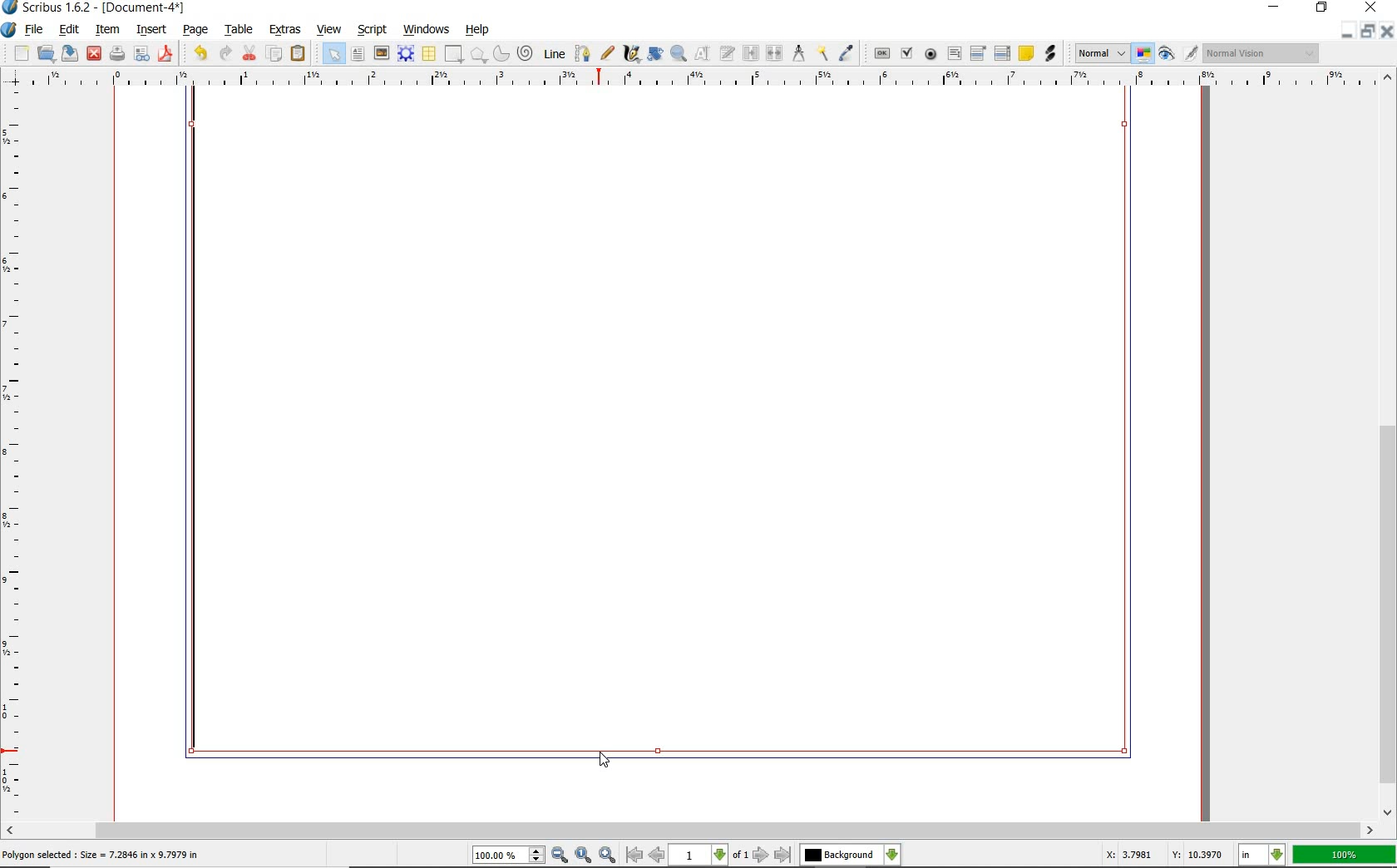 The width and height of the screenshot is (1397, 868). What do you see at coordinates (635, 856) in the screenshot?
I see `go to first page` at bounding box center [635, 856].